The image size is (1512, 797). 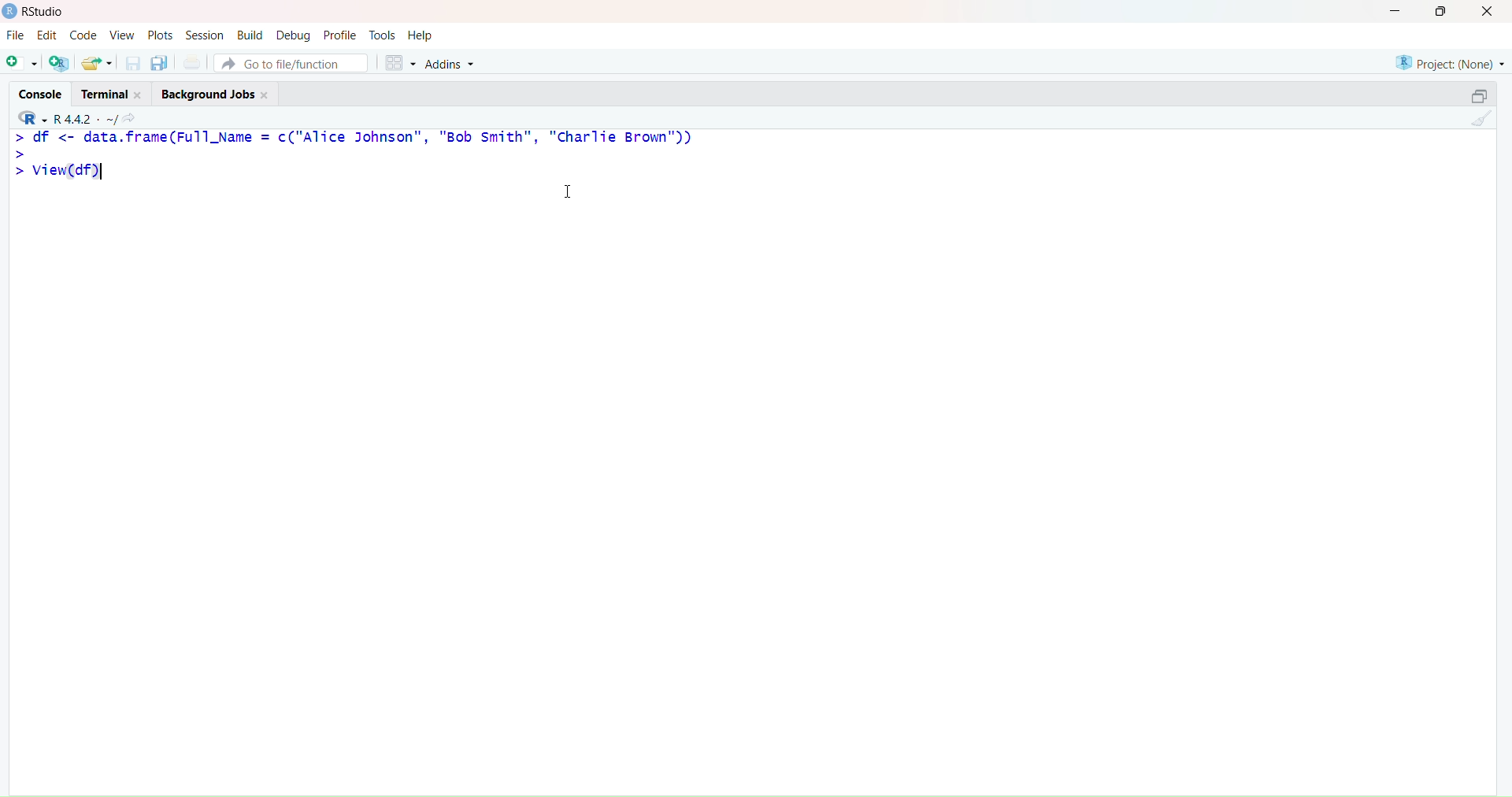 What do you see at coordinates (21, 172) in the screenshot?
I see `Prompt cursor` at bounding box center [21, 172].